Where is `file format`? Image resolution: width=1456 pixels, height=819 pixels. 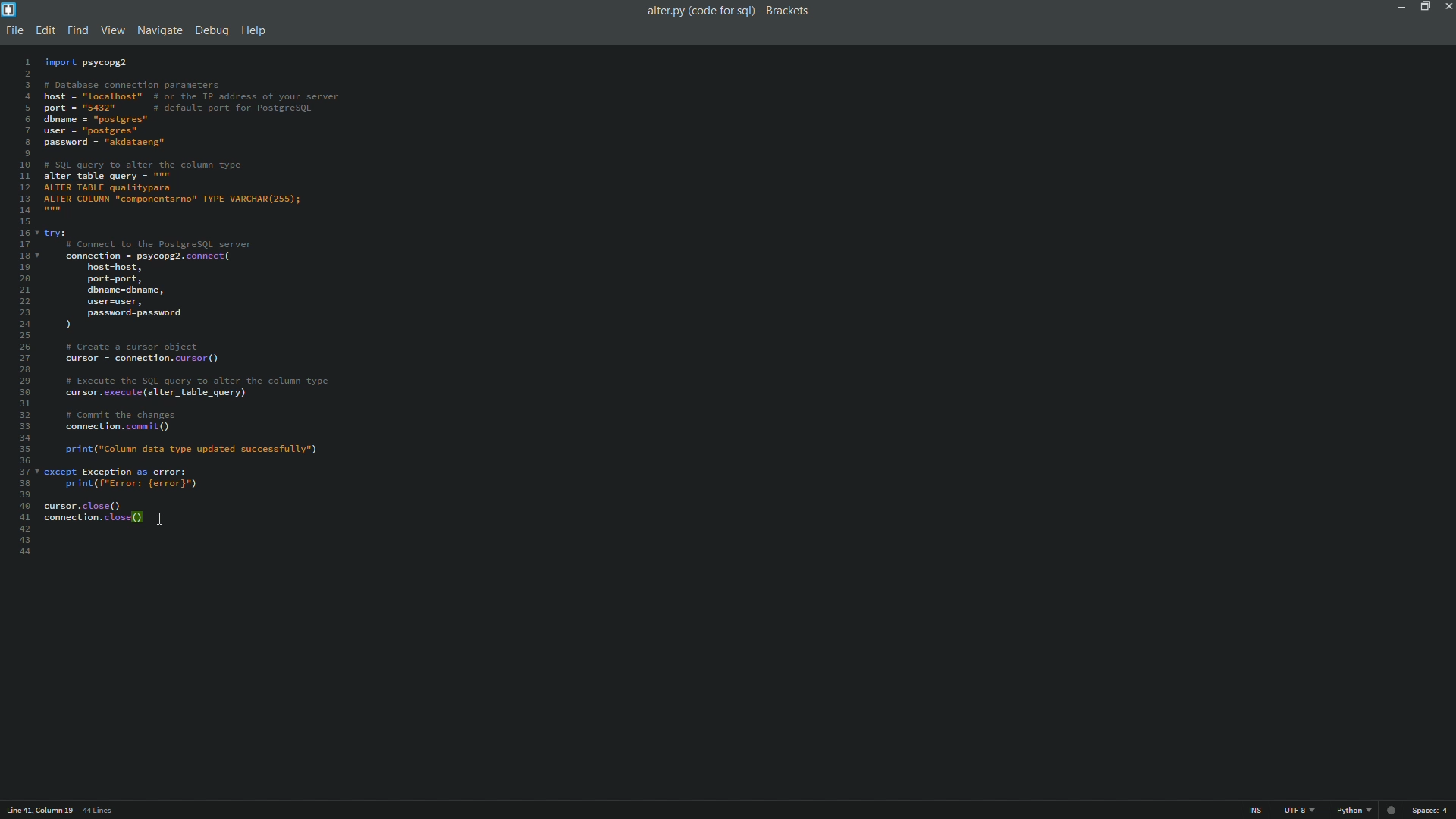 file format is located at coordinates (1368, 811).